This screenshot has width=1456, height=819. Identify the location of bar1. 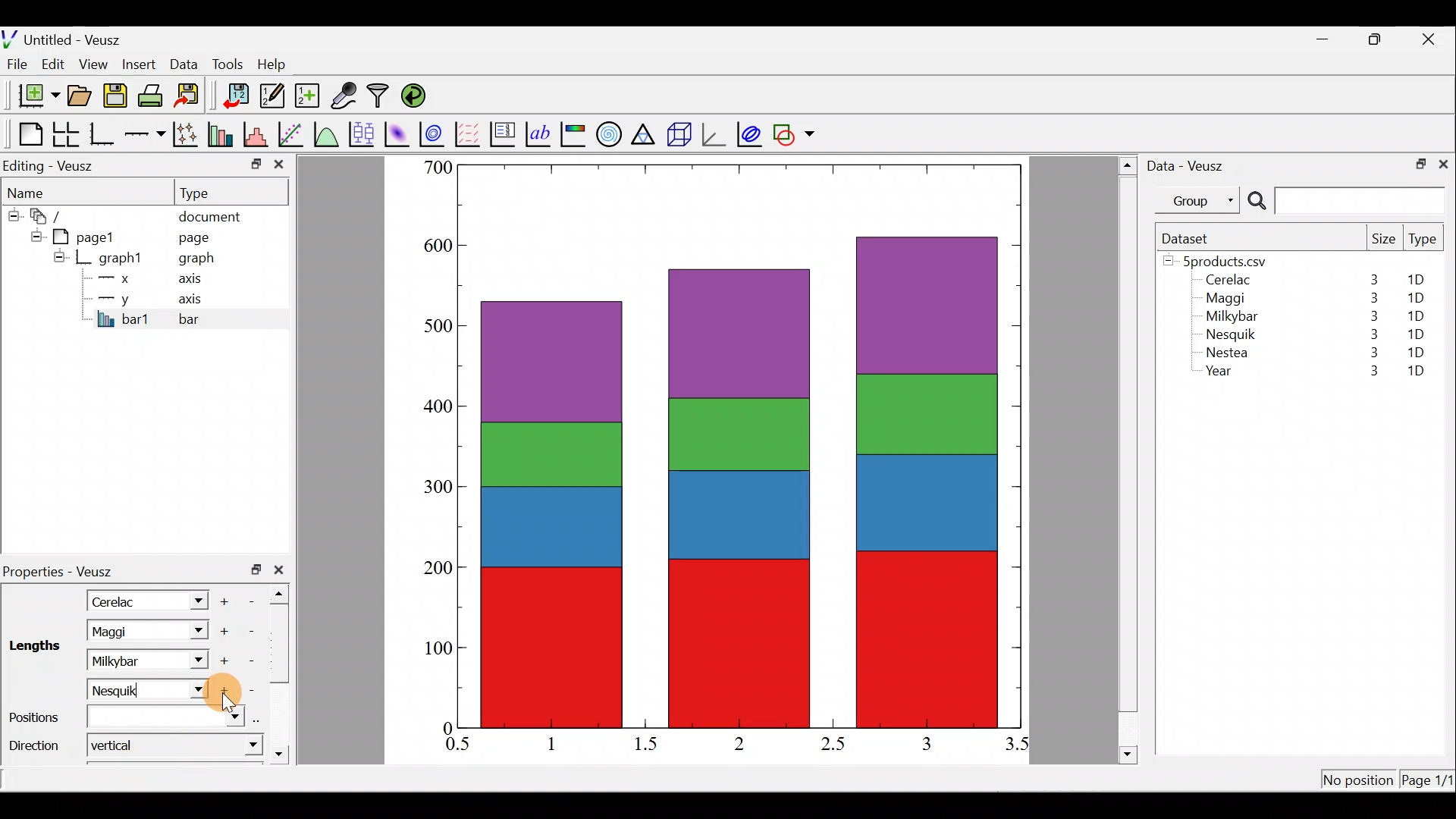
(124, 318).